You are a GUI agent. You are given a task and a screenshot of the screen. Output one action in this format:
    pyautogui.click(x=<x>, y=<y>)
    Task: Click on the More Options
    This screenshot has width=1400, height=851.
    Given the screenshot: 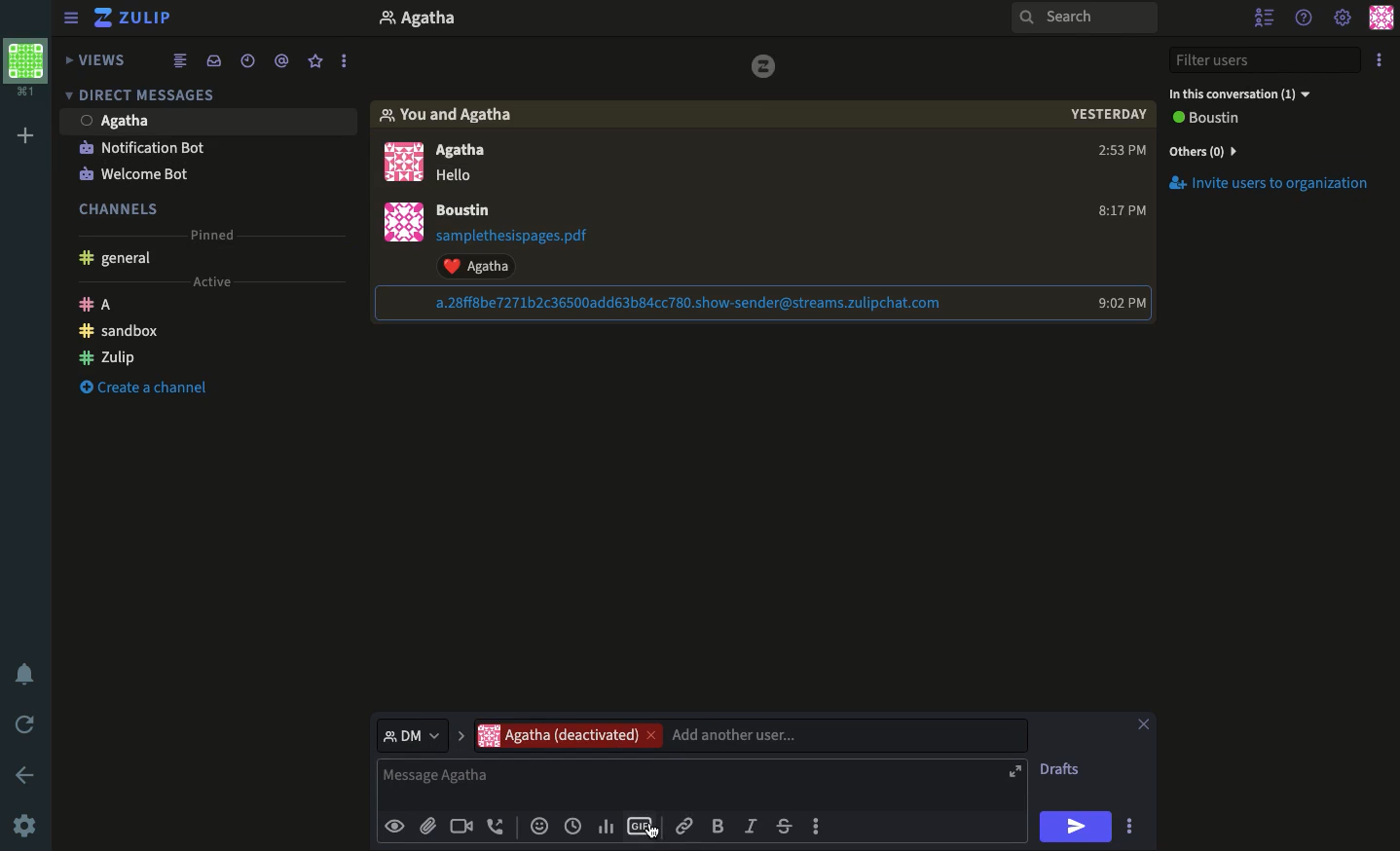 What is the action you would take?
    pyautogui.click(x=350, y=60)
    